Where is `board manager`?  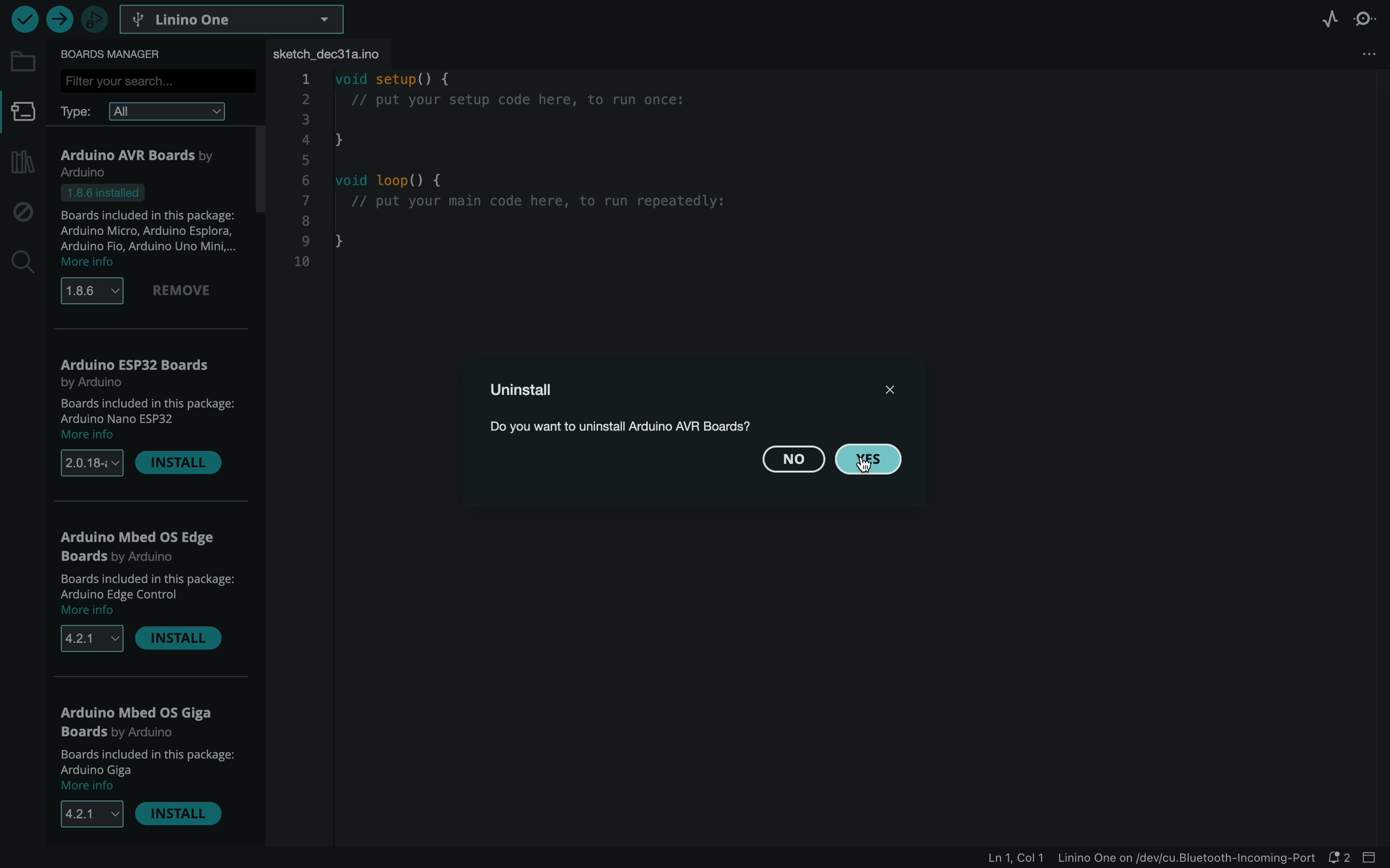
board manager is located at coordinates (116, 53).